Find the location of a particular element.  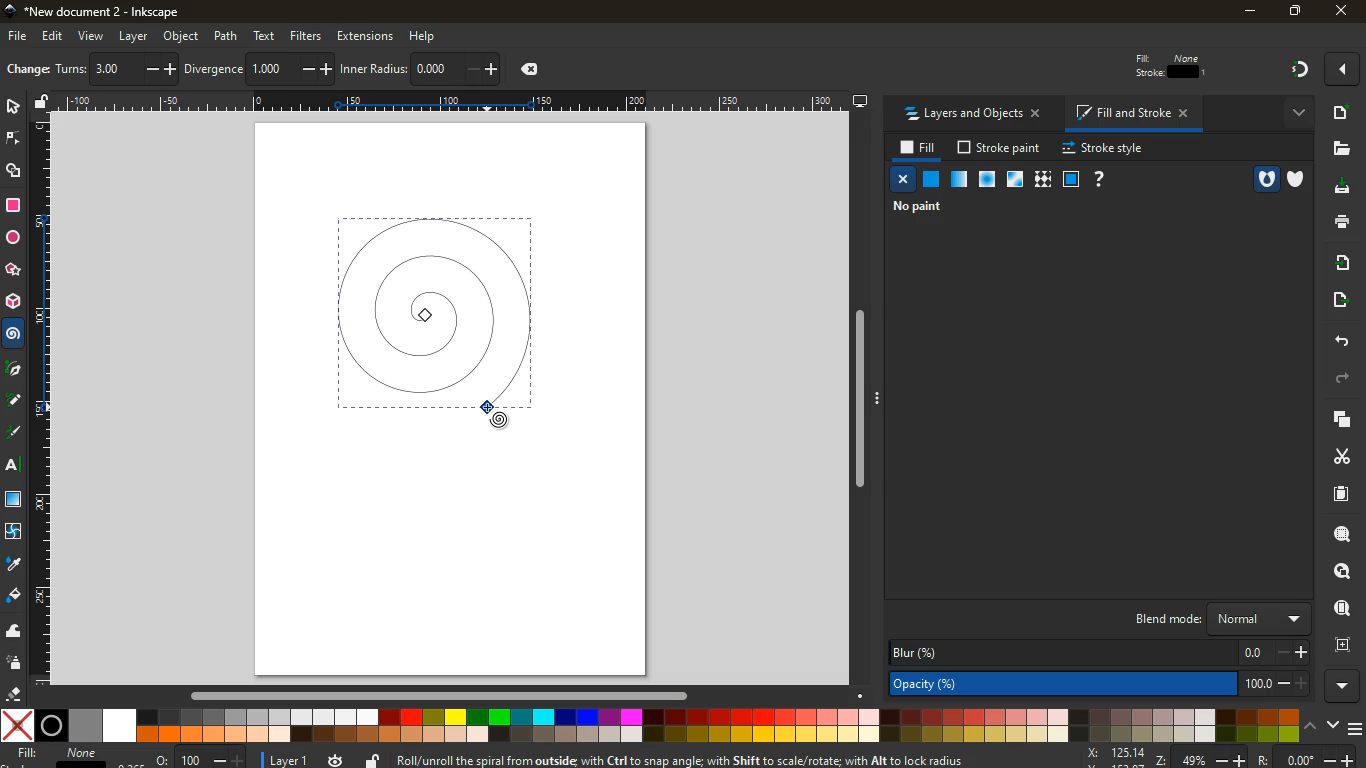

opacity is located at coordinates (959, 180).